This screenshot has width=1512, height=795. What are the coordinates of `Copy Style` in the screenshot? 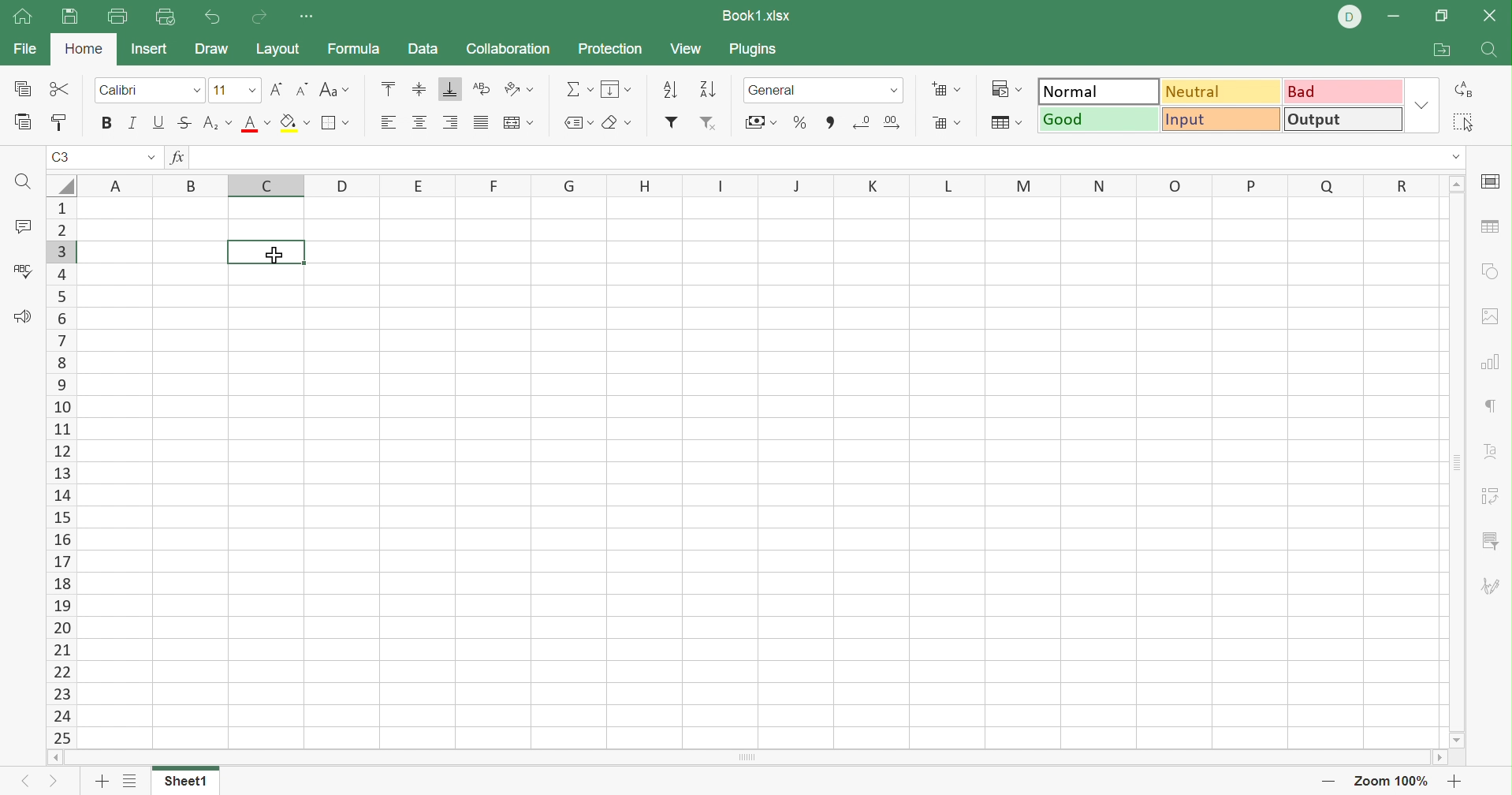 It's located at (60, 123).